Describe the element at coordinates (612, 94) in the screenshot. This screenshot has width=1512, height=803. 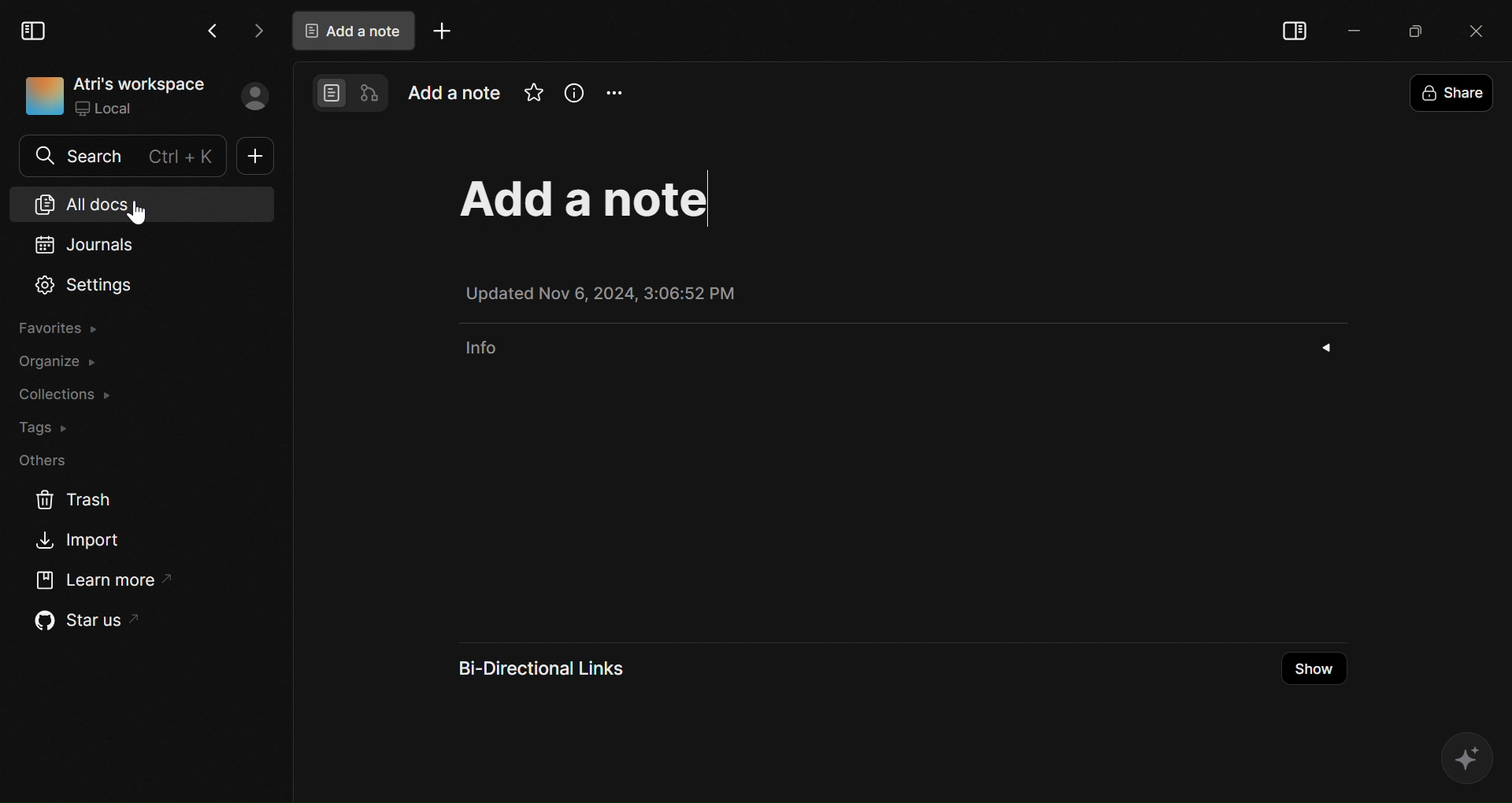
I see `Options` at that location.